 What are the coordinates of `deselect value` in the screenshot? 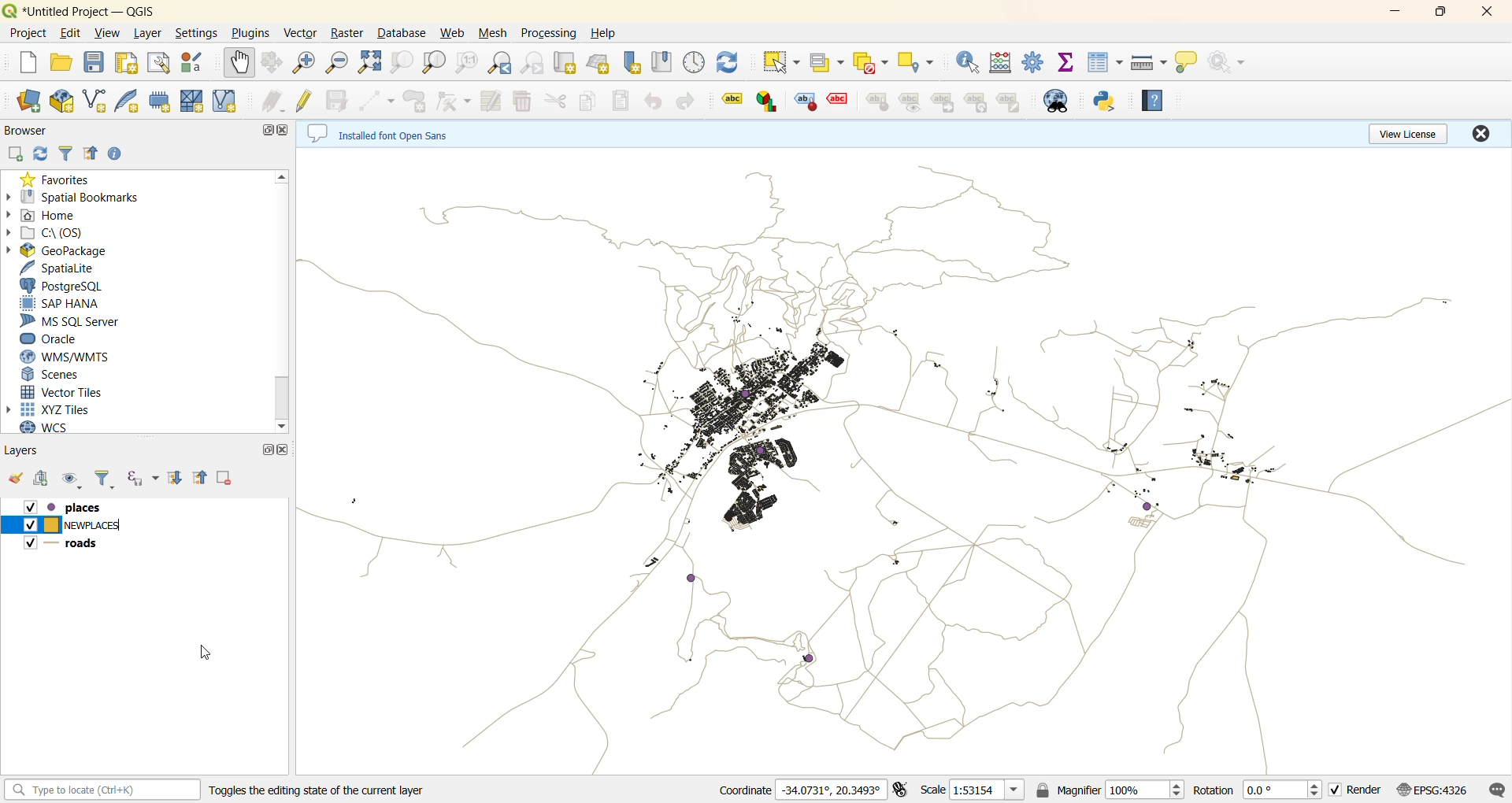 It's located at (869, 62).